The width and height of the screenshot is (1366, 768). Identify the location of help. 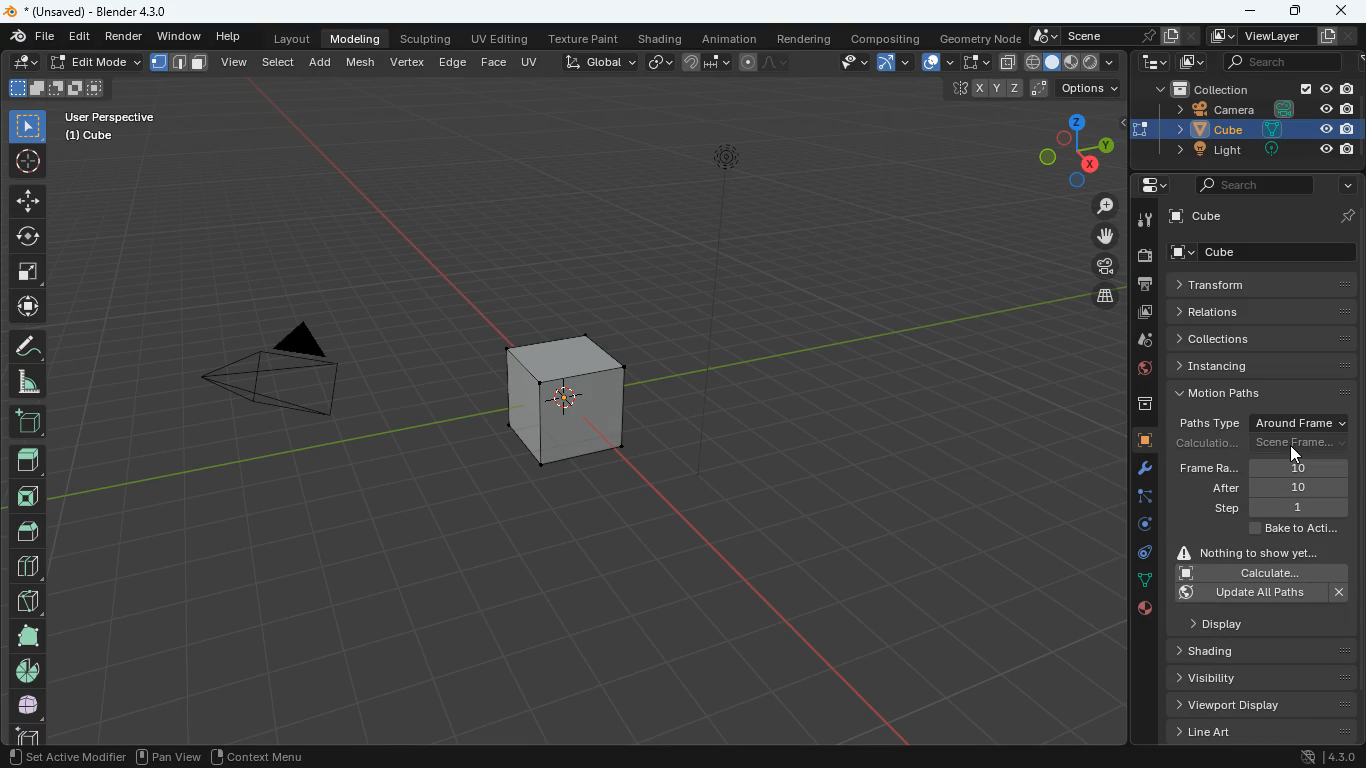
(231, 38).